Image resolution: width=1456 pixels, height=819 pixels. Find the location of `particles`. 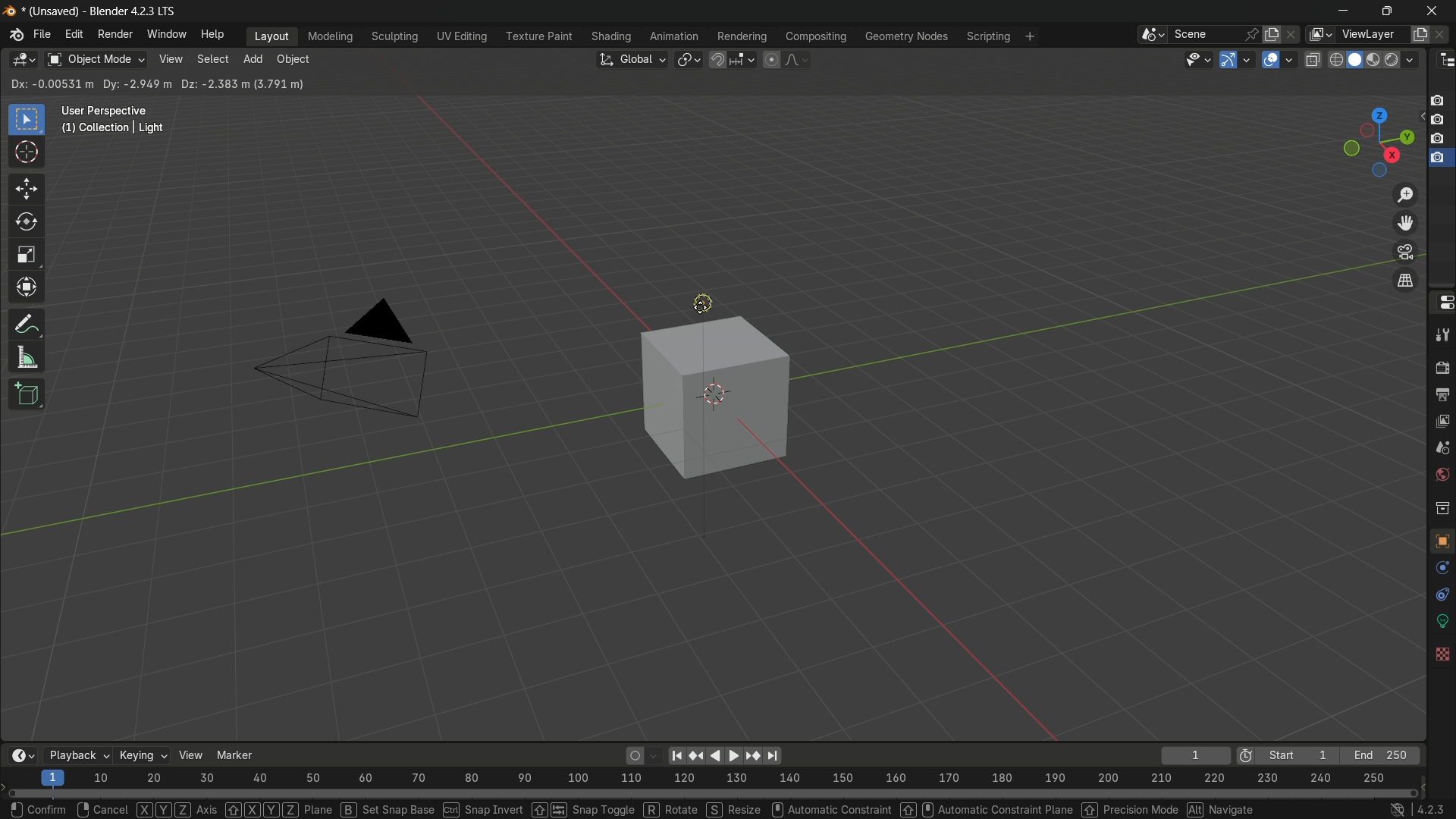

particles is located at coordinates (1441, 597).